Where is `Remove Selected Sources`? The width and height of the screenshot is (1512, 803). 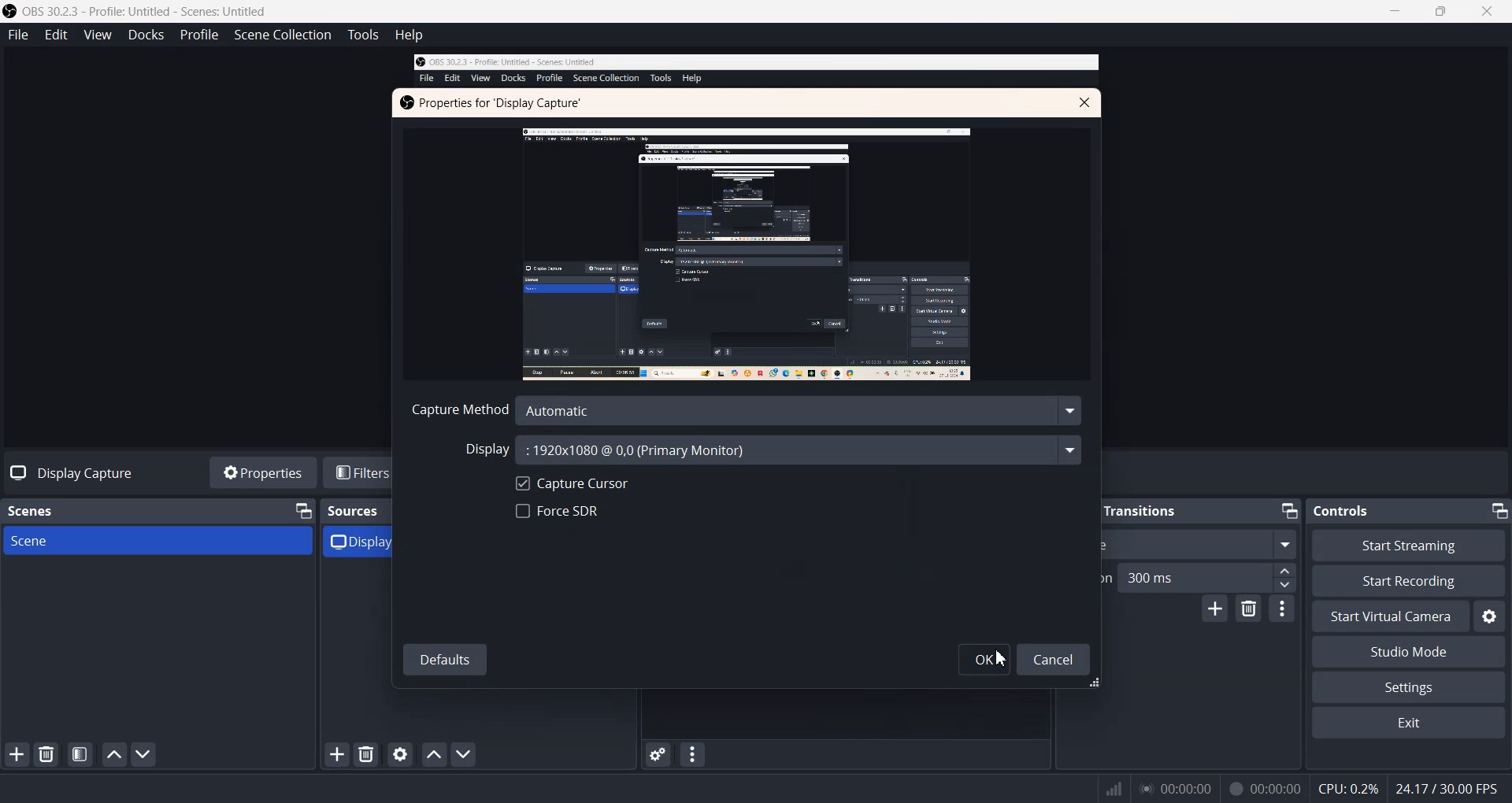 Remove Selected Sources is located at coordinates (367, 754).